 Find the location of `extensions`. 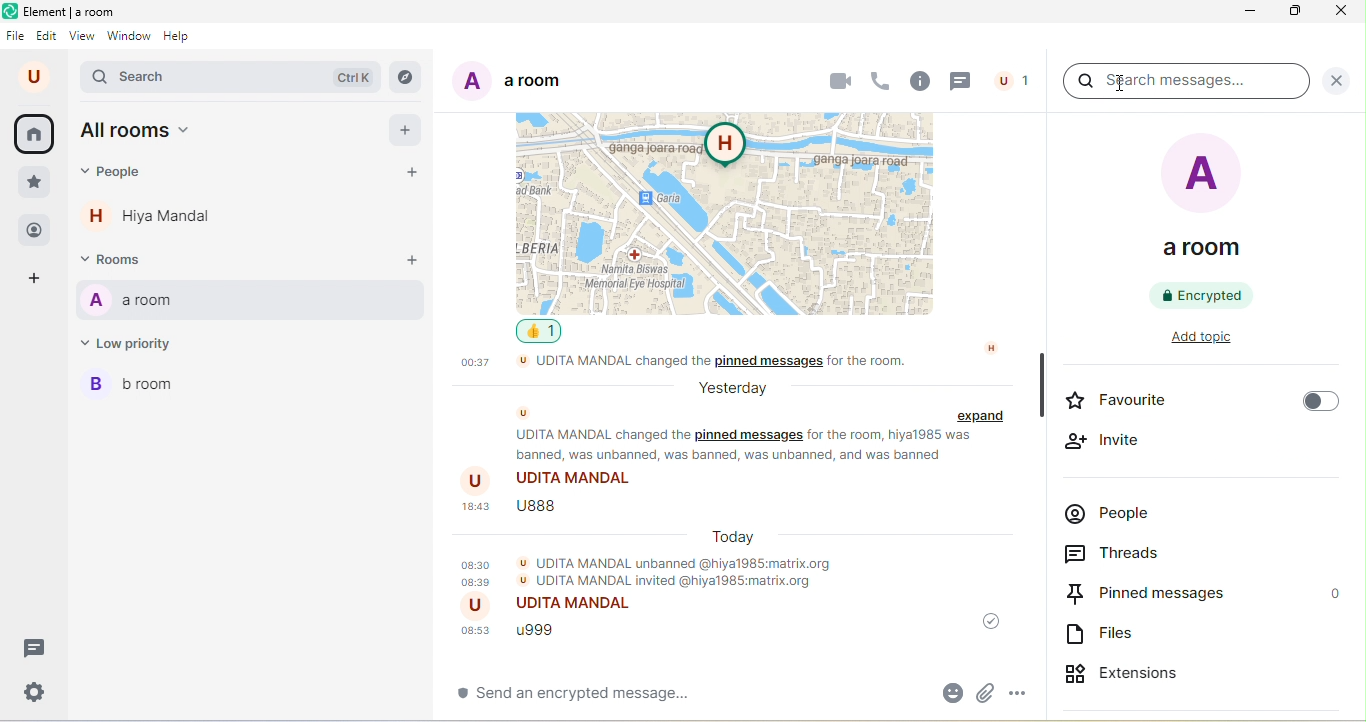

extensions is located at coordinates (1148, 670).